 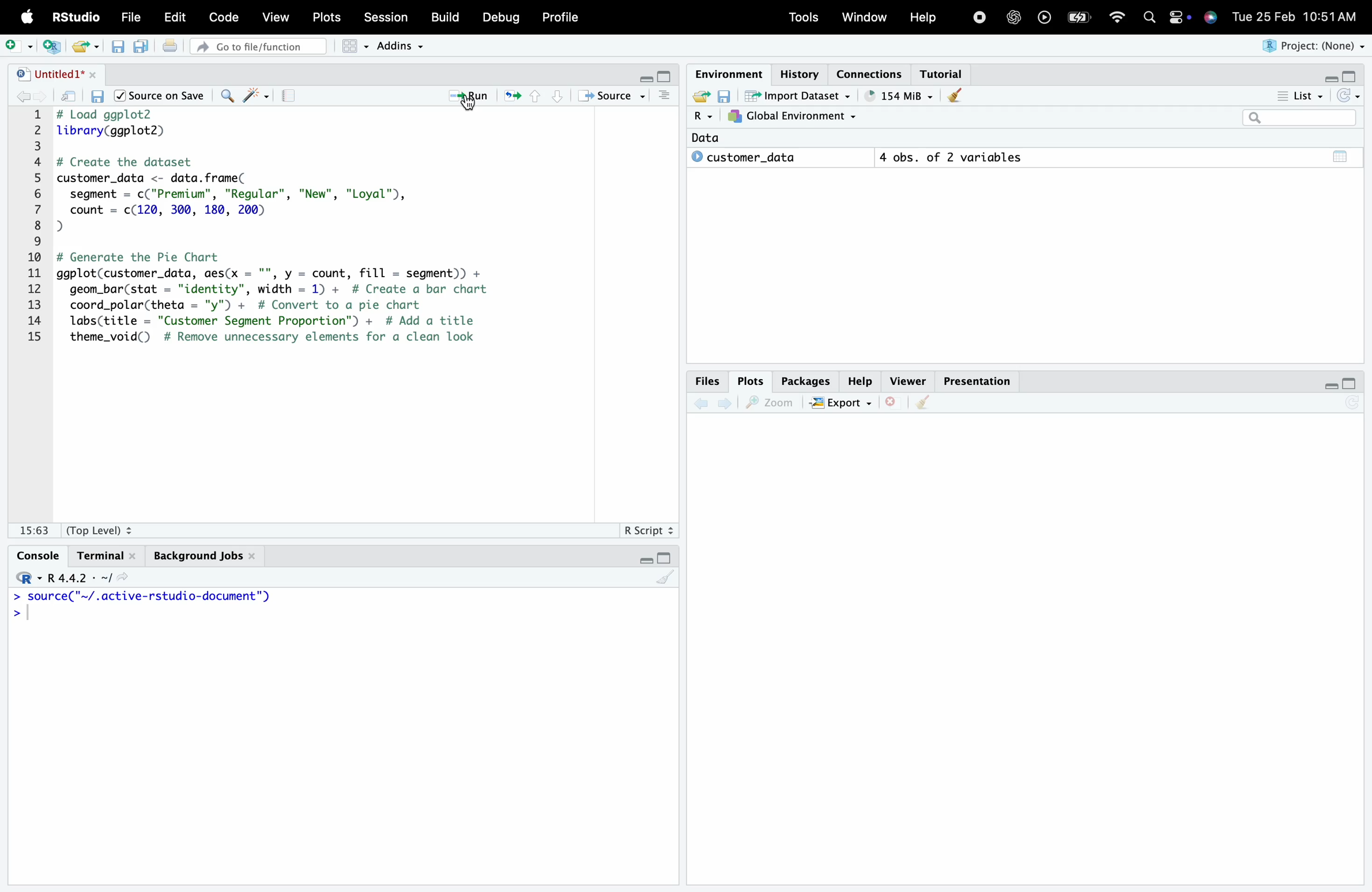 I want to click on Source ~/.active-rstudadio-aocumenc ), so click(x=153, y=603).